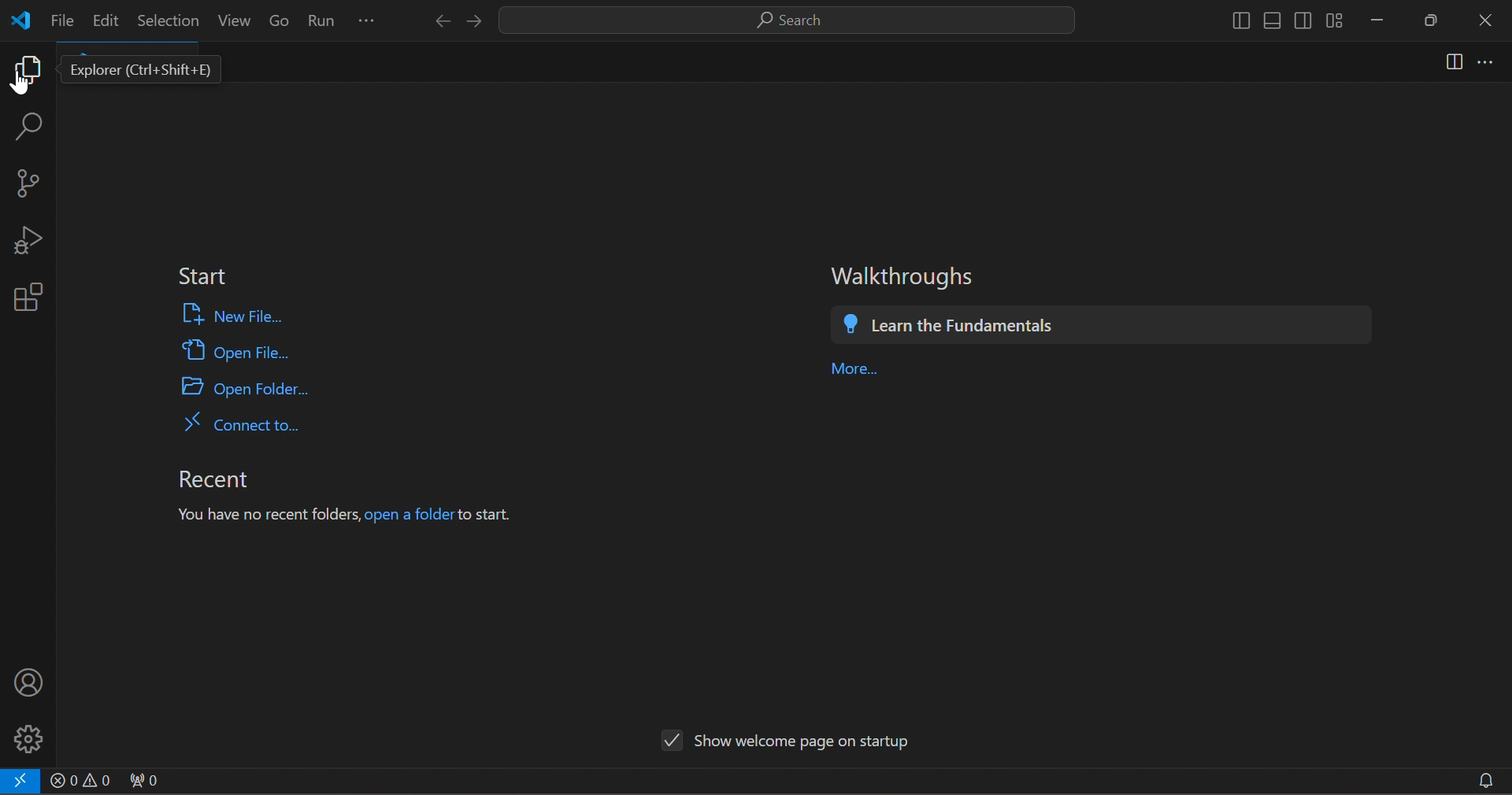 The height and width of the screenshot is (795, 1512). What do you see at coordinates (784, 741) in the screenshot?
I see `show welcome page om start` at bounding box center [784, 741].